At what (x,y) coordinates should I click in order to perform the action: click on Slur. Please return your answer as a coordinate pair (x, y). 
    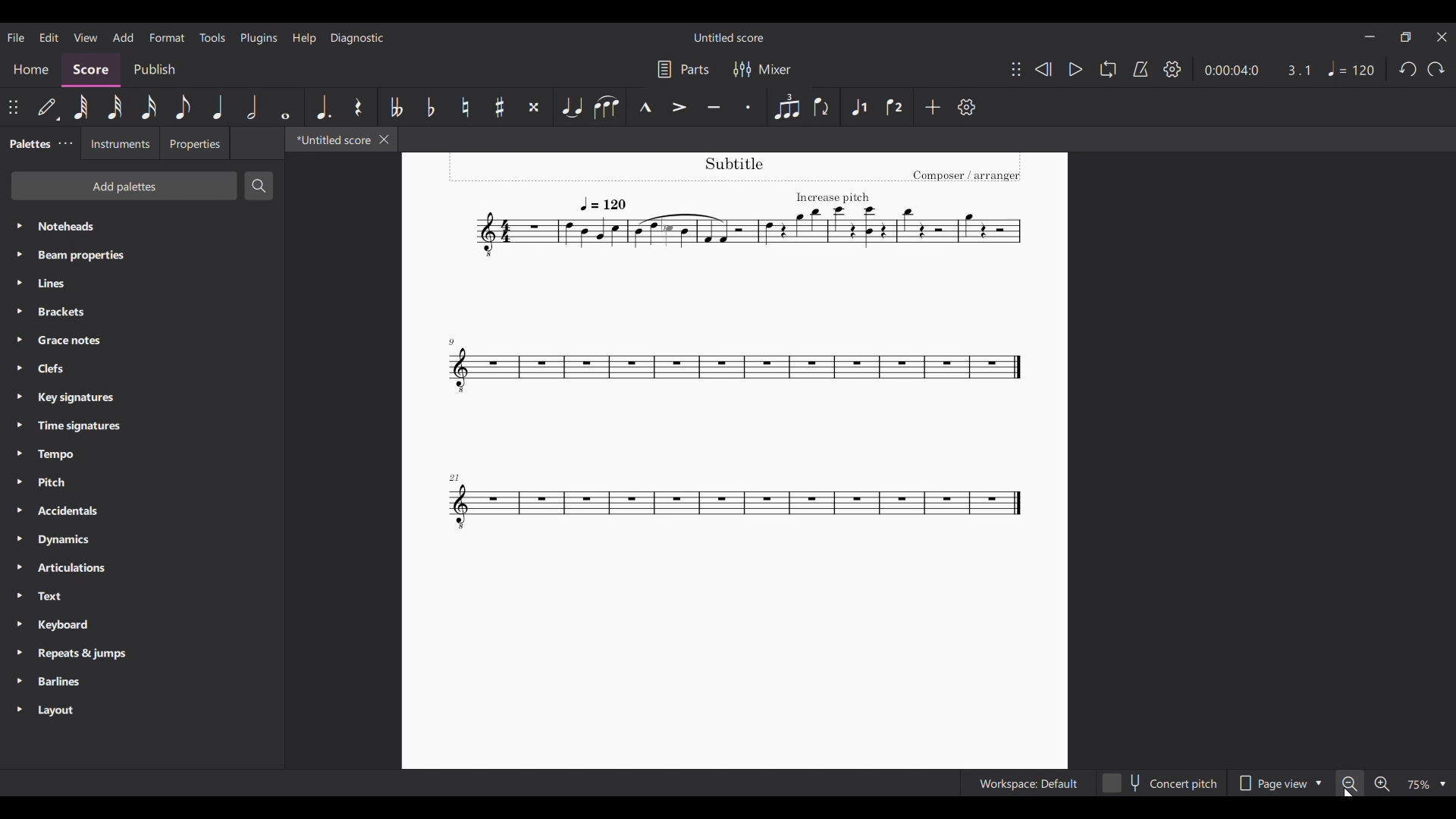
    Looking at the image, I should click on (607, 107).